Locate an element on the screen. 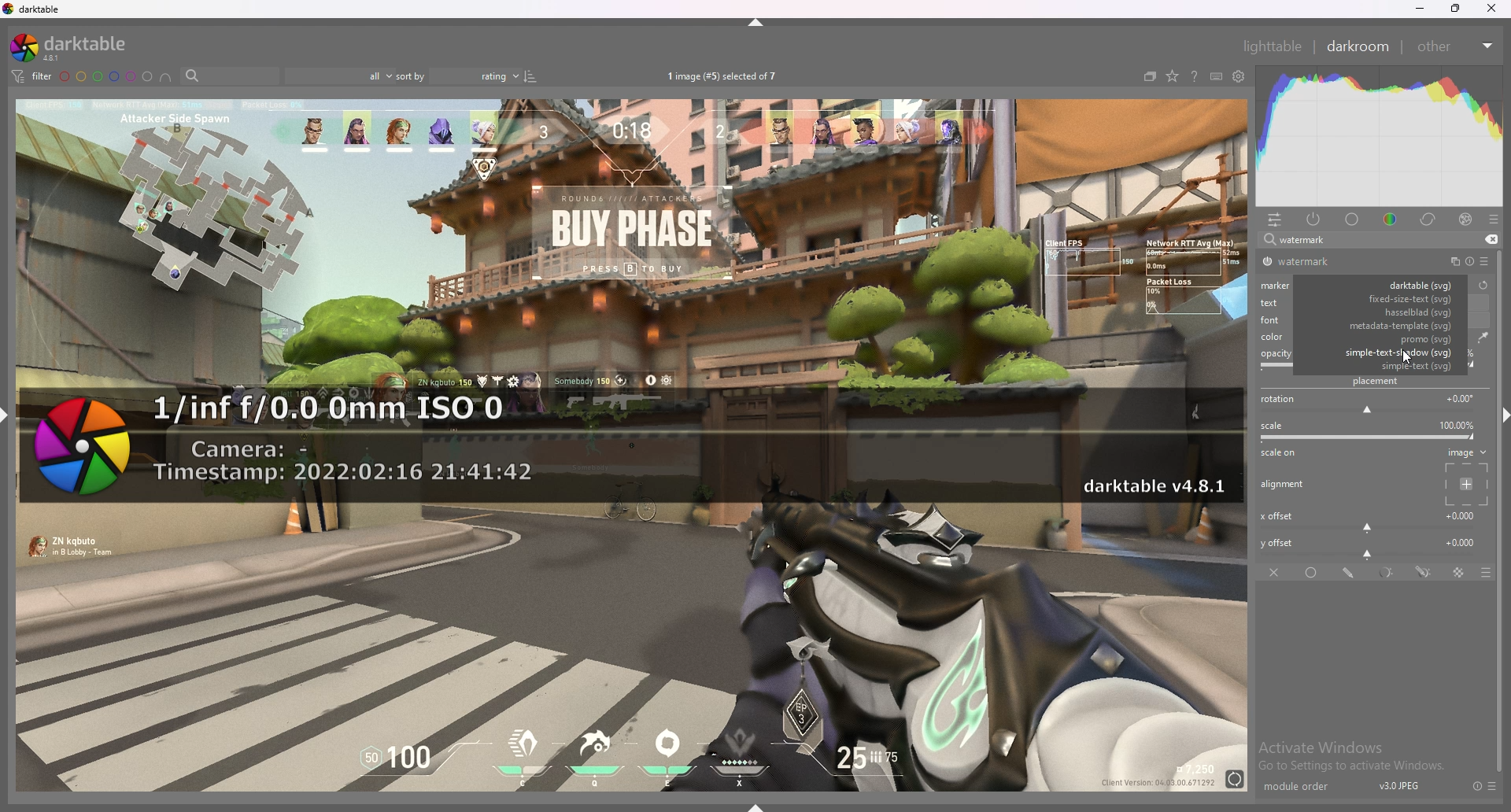  heat graph is located at coordinates (1380, 136).